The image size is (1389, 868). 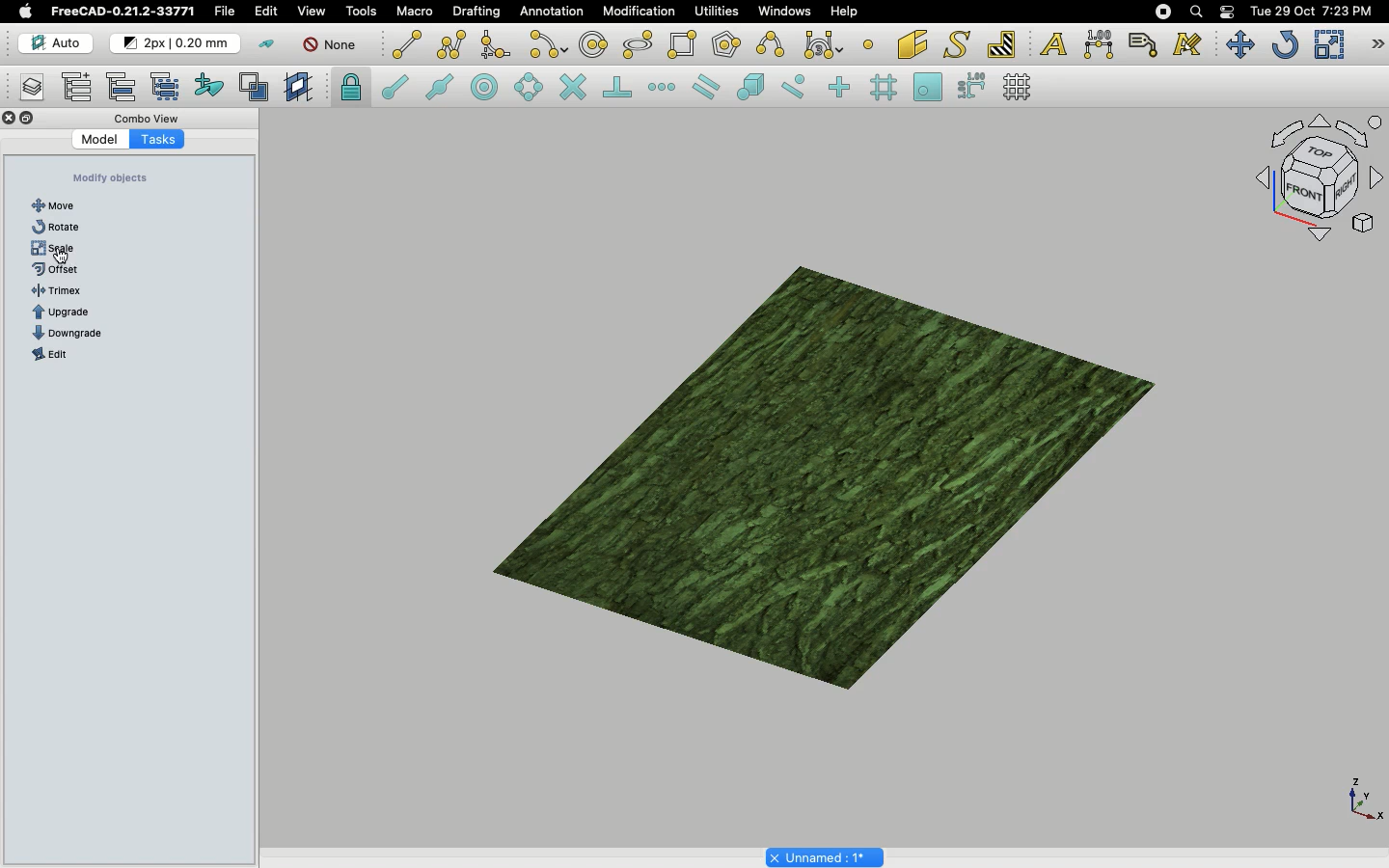 What do you see at coordinates (143, 116) in the screenshot?
I see `Combo view` at bounding box center [143, 116].